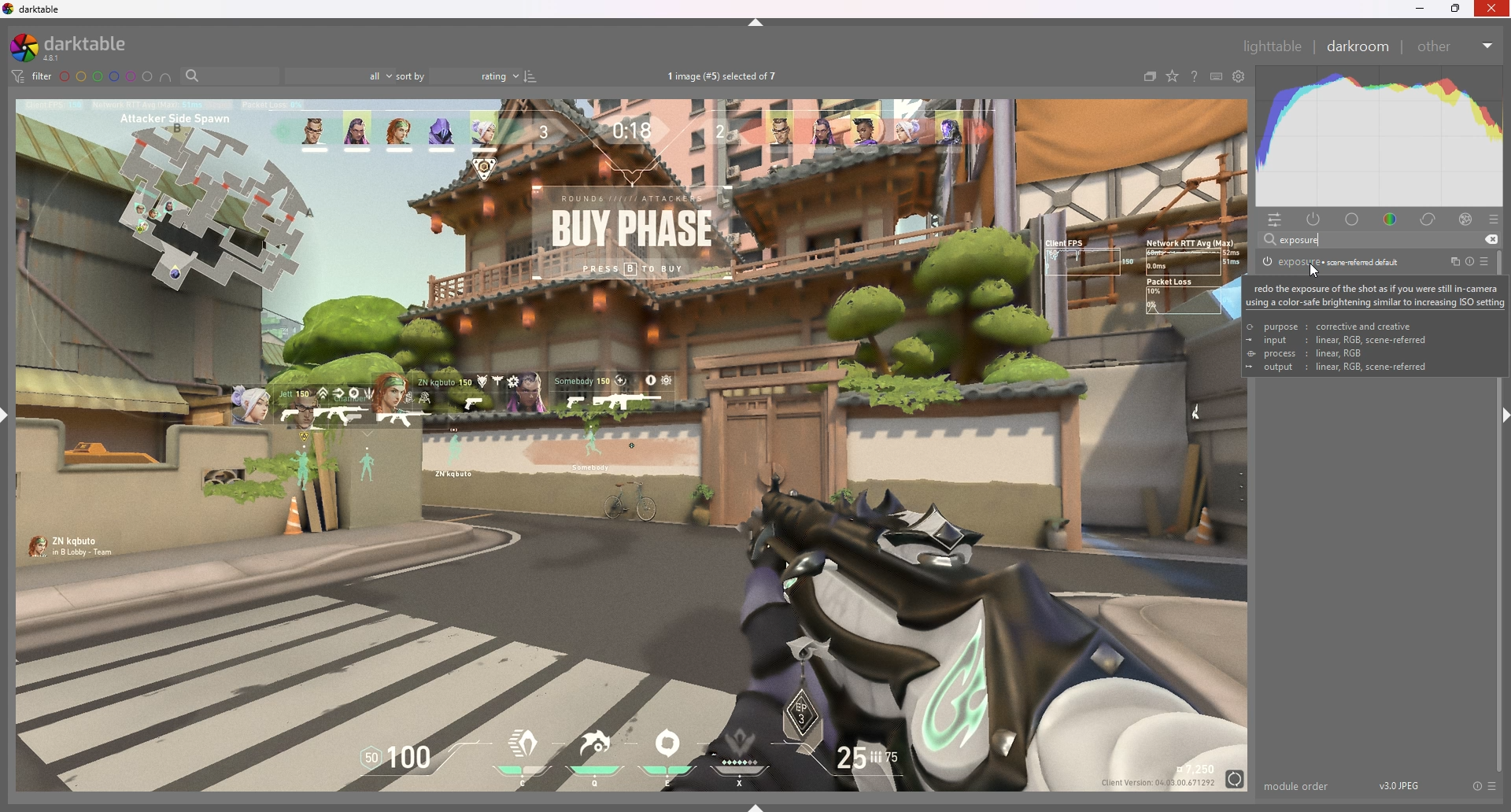  What do you see at coordinates (1494, 787) in the screenshot?
I see `presets` at bounding box center [1494, 787].